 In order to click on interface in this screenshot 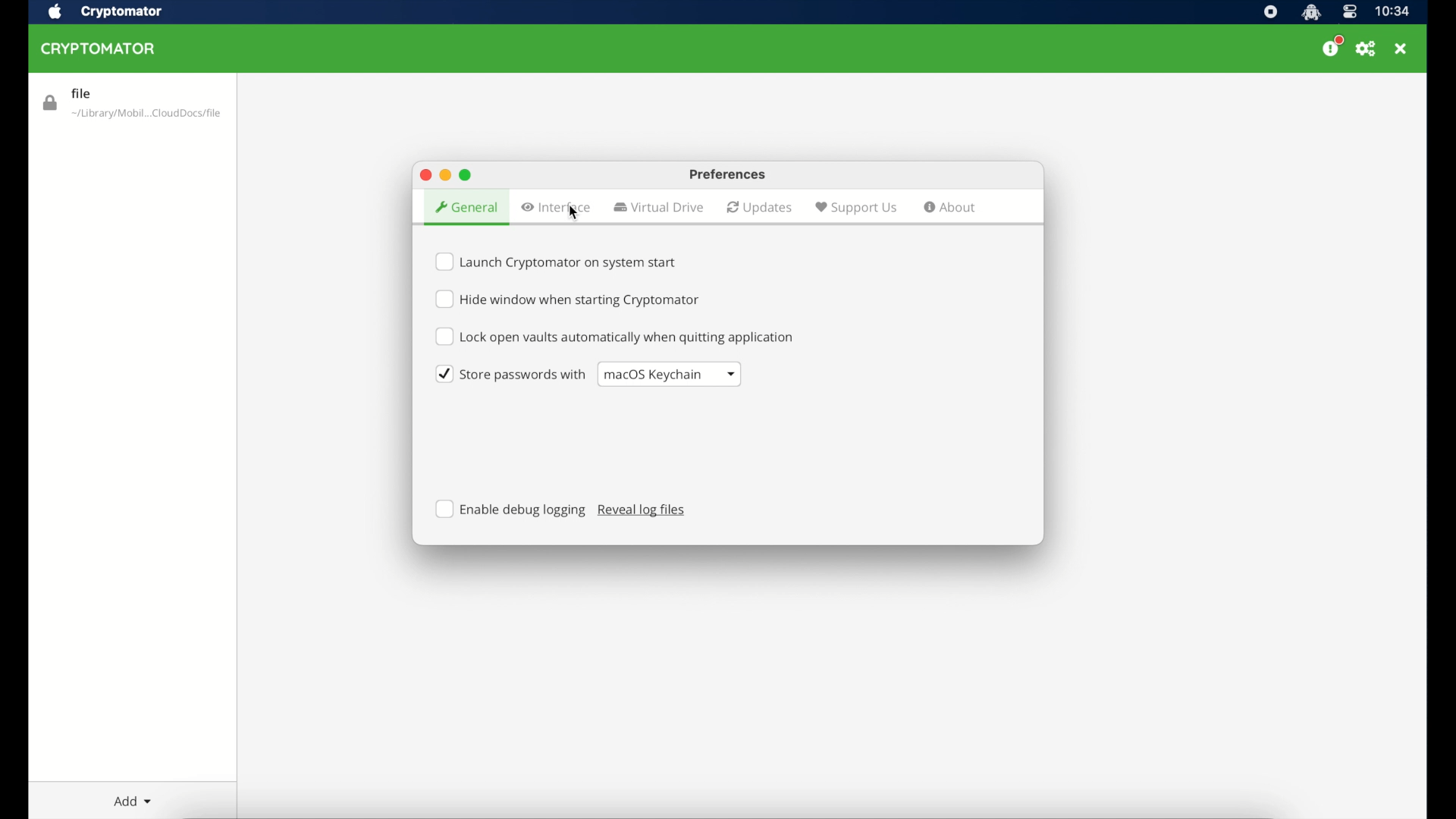, I will do `click(558, 208)`.